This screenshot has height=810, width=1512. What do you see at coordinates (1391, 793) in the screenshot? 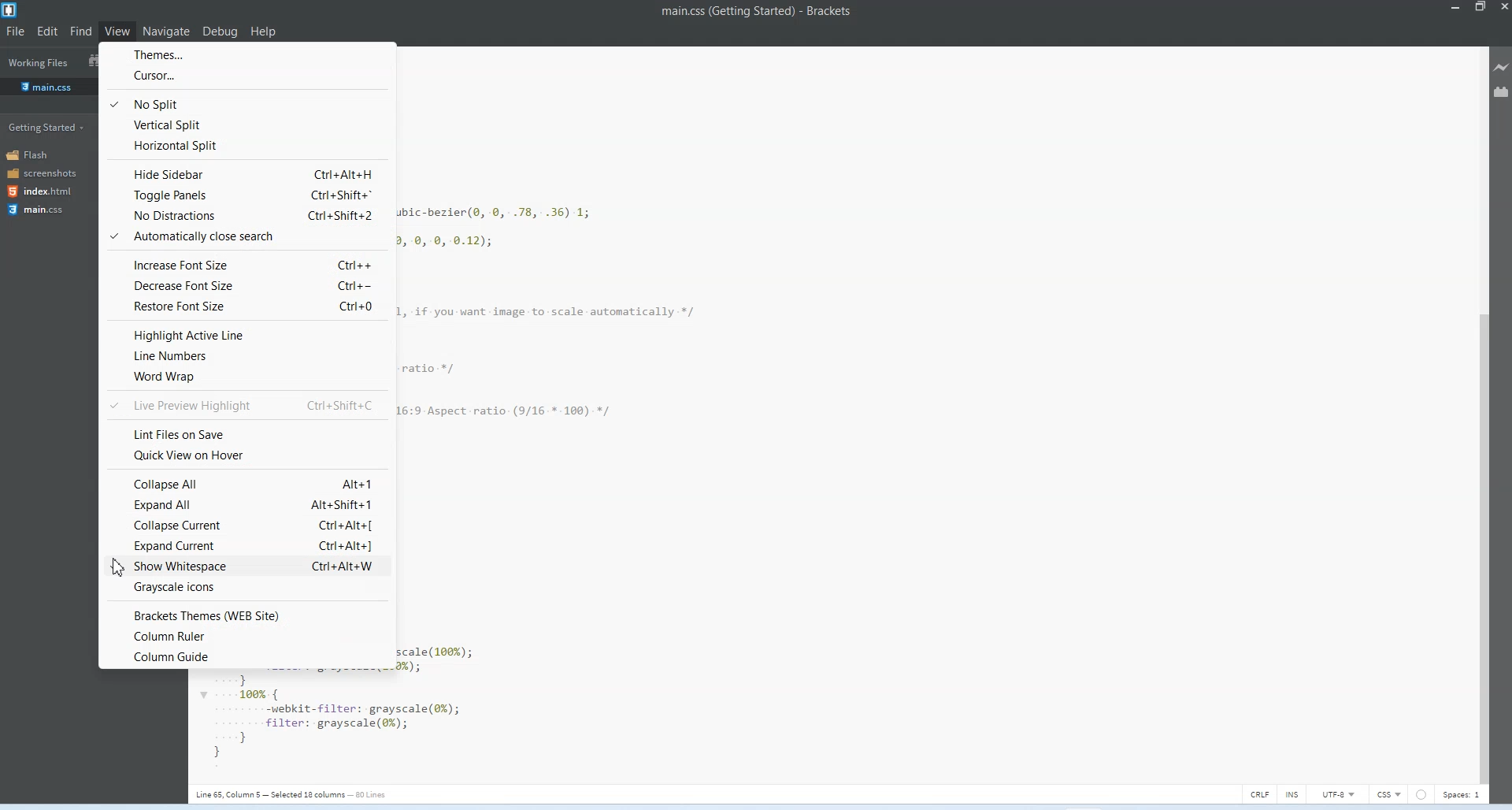
I see `CSS` at bounding box center [1391, 793].